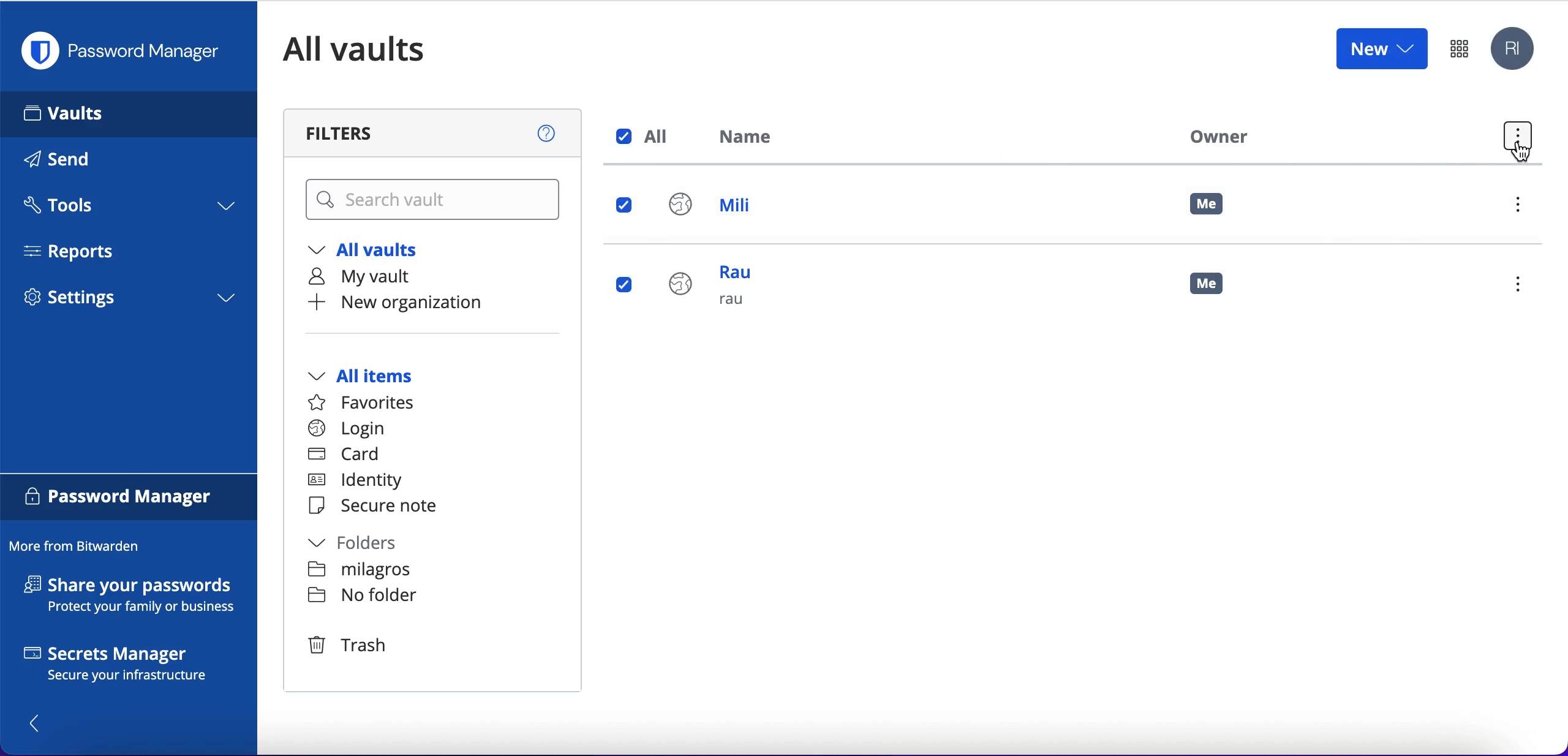 Image resolution: width=1568 pixels, height=756 pixels. Describe the element at coordinates (753, 139) in the screenshot. I see `name` at that location.